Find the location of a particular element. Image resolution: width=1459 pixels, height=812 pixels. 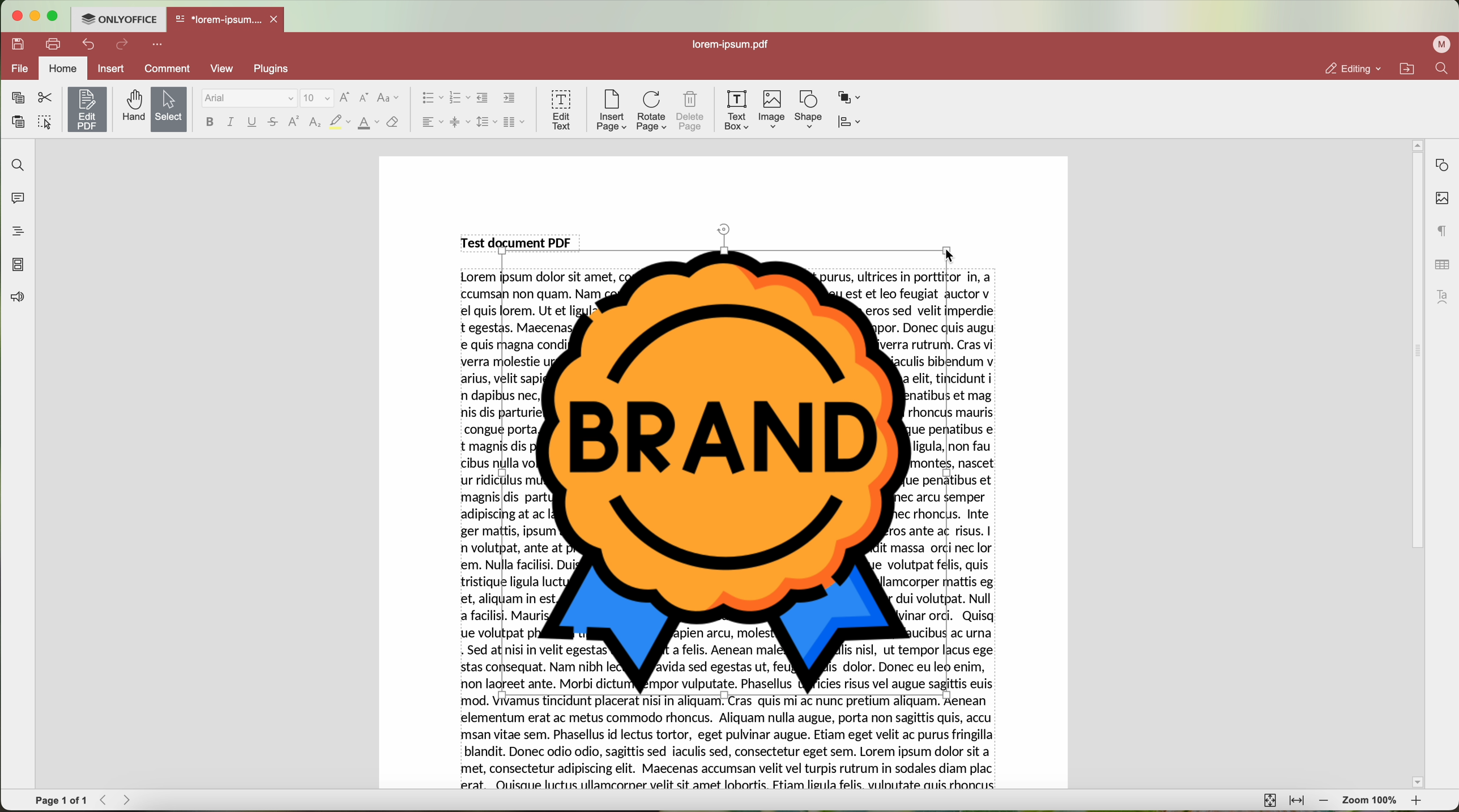

feedback & support is located at coordinates (16, 299).